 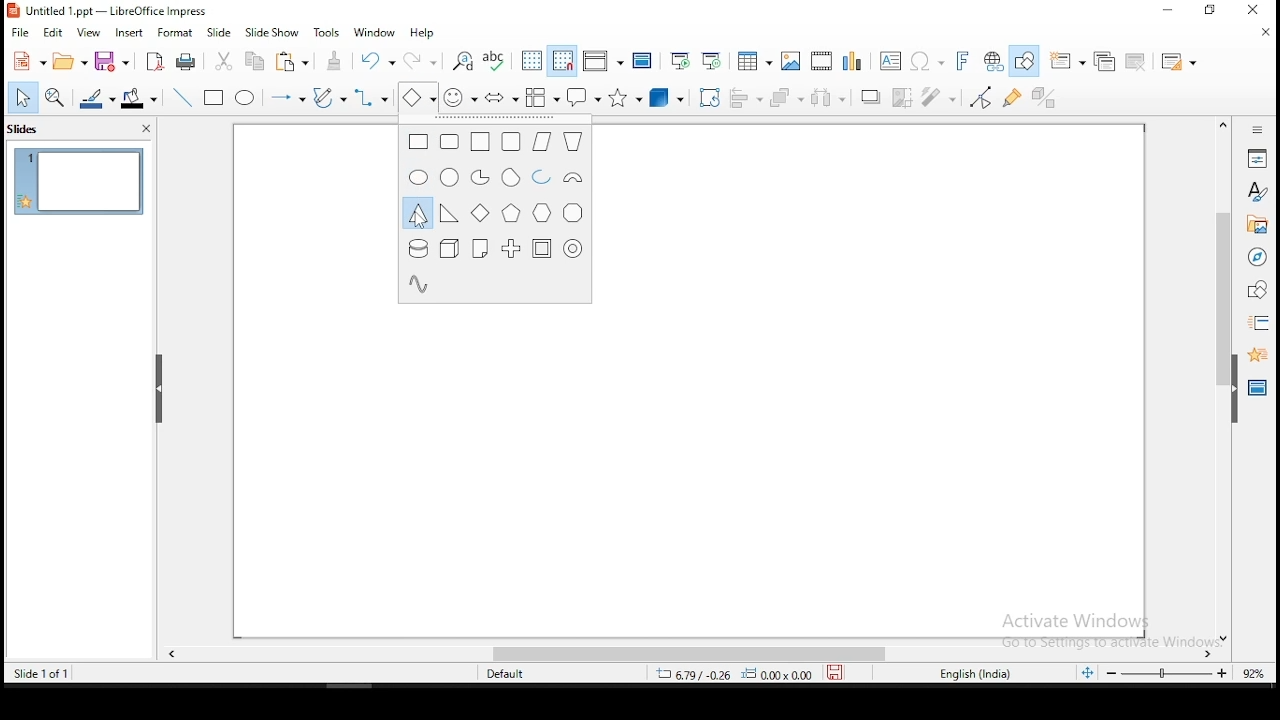 I want to click on scroll bar, so click(x=1219, y=379).